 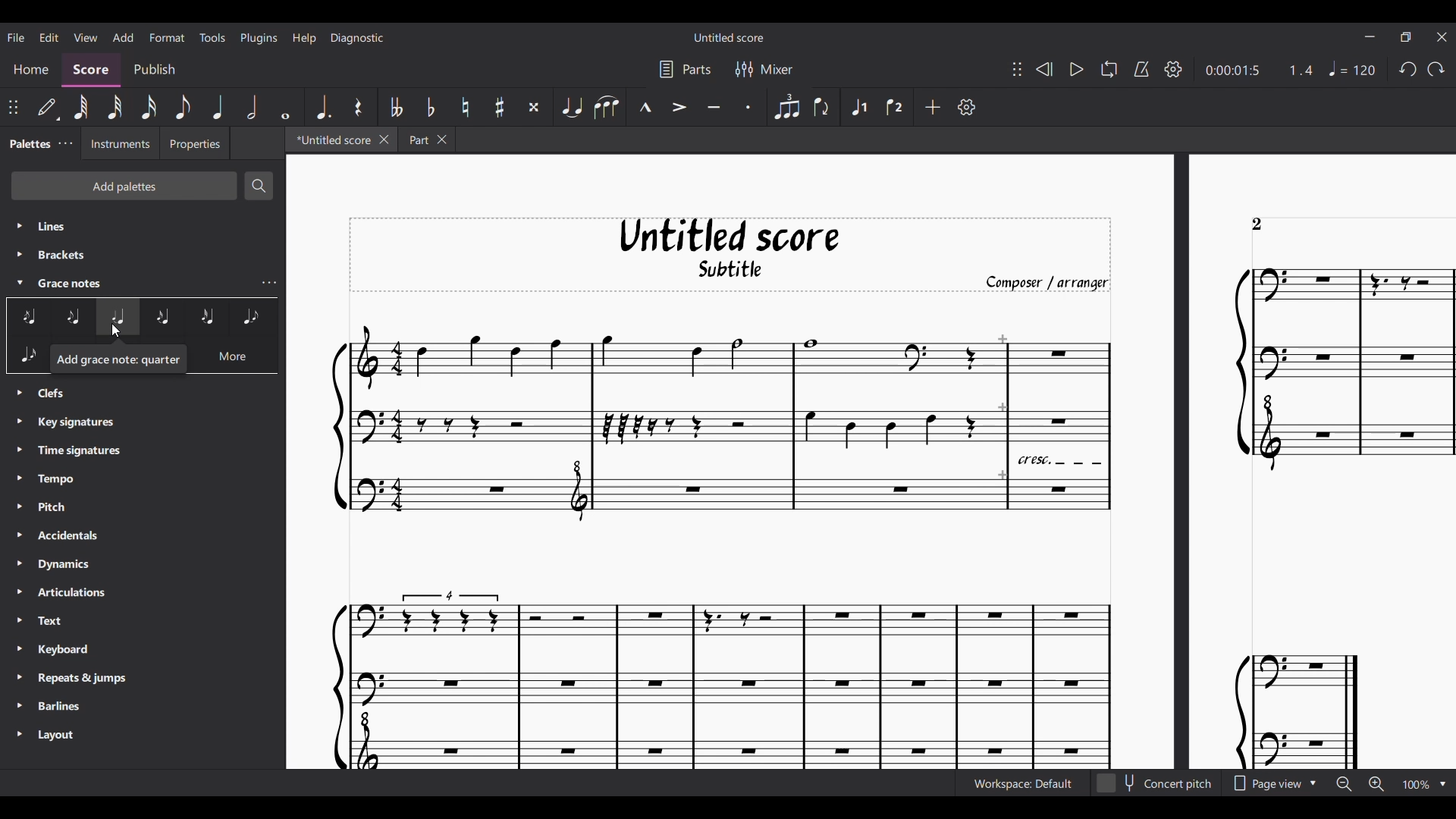 I want to click on Tempo, so click(x=1352, y=68).